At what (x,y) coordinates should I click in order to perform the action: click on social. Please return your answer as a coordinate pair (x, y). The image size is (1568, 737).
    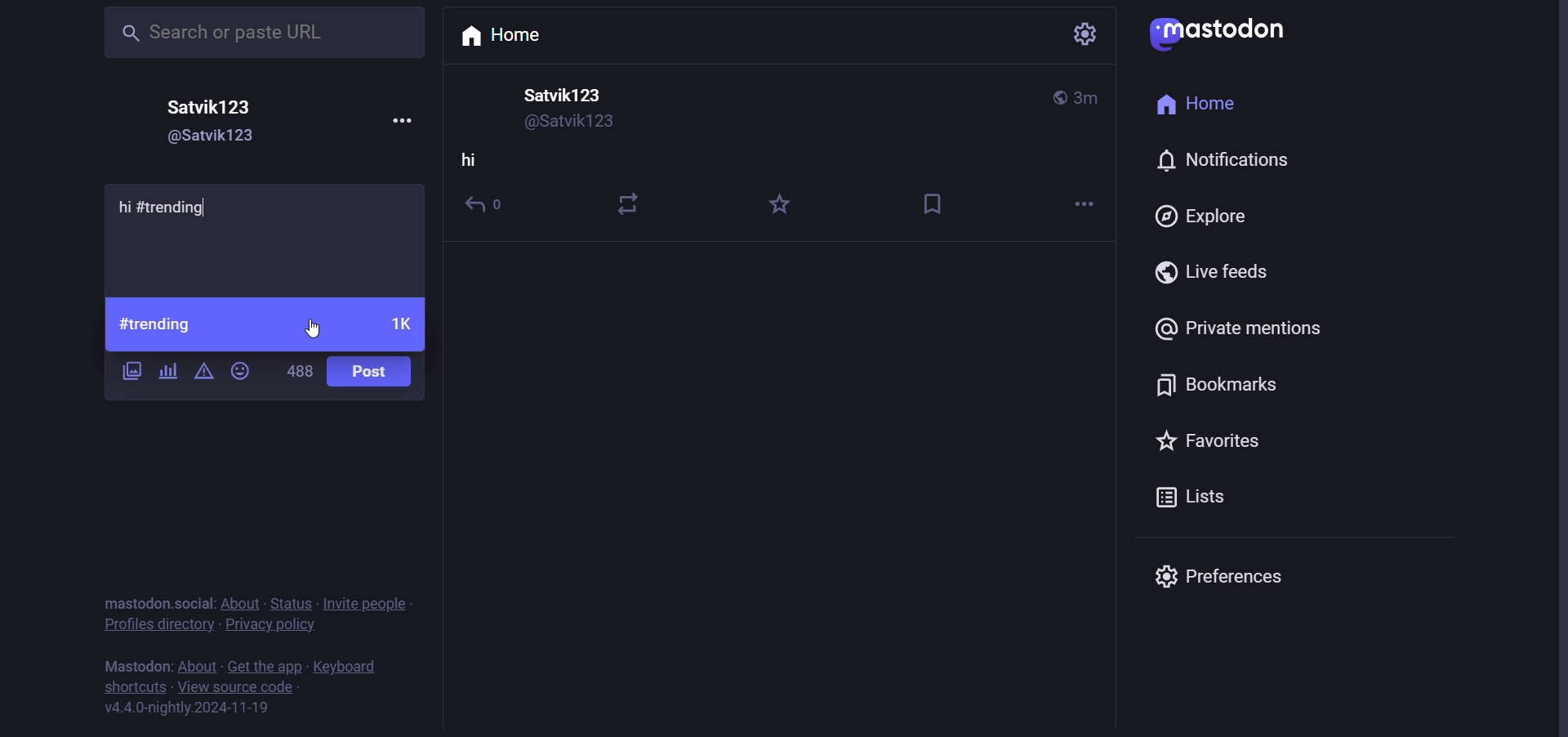
    Looking at the image, I should click on (196, 601).